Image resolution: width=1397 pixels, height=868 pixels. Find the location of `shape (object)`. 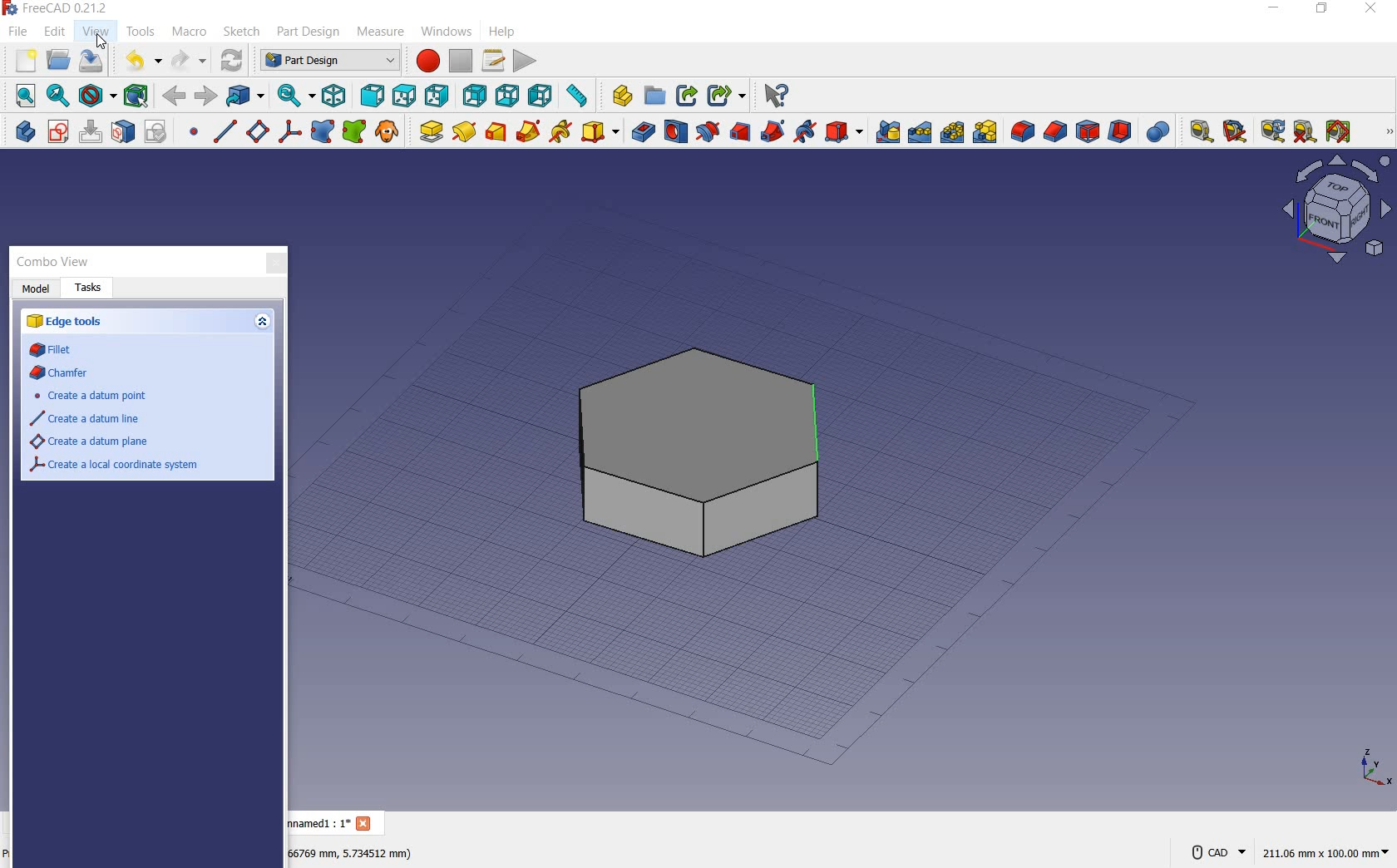

shape (object) is located at coordinates (691, 451).